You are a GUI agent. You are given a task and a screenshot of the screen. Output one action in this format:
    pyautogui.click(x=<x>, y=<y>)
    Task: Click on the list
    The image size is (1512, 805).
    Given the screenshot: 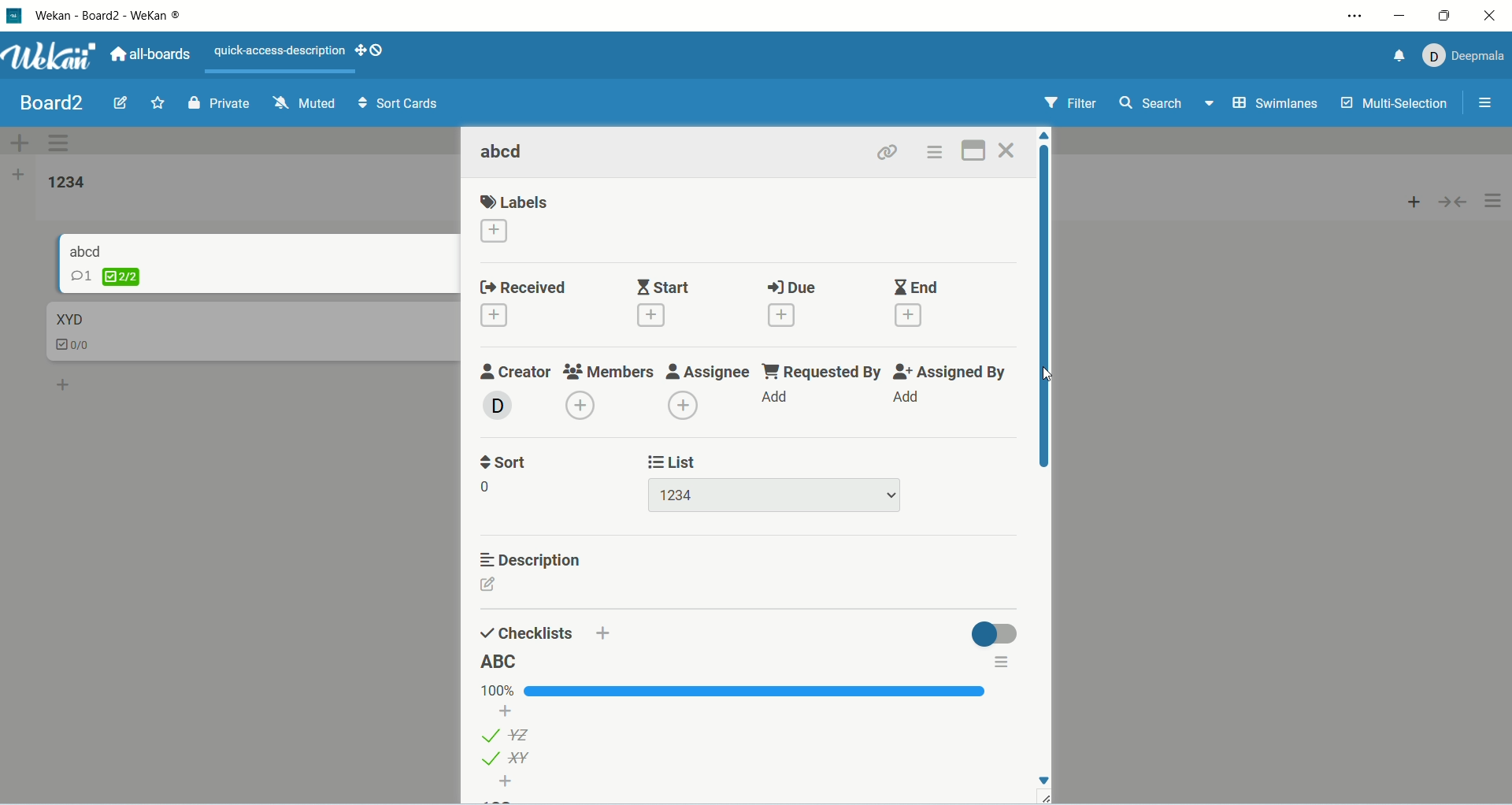 What is the action you would take?
    pyautogui.click(x=673, y=463)
    